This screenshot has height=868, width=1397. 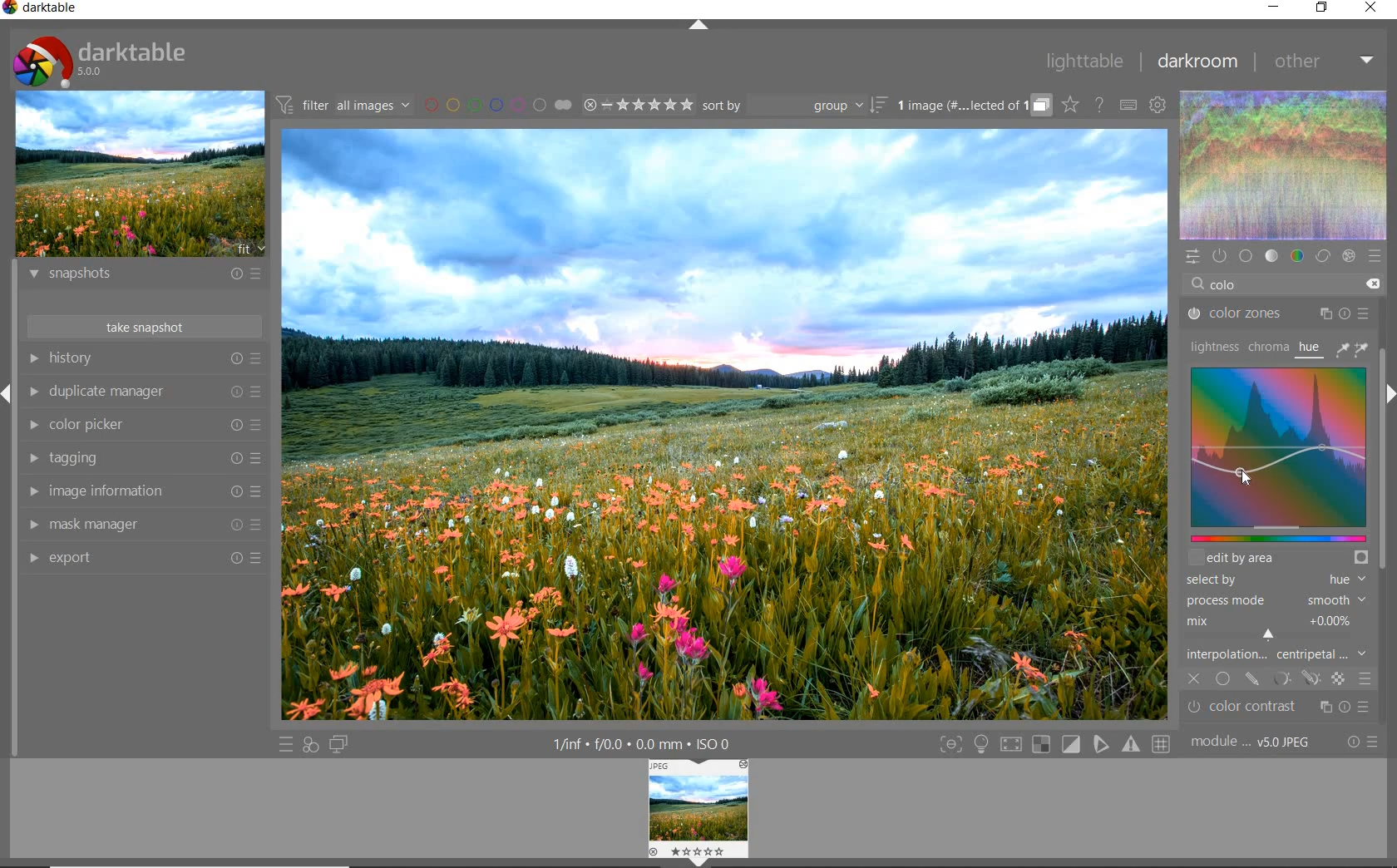 I want to click on enable online help, so click(x=1100, y=106).